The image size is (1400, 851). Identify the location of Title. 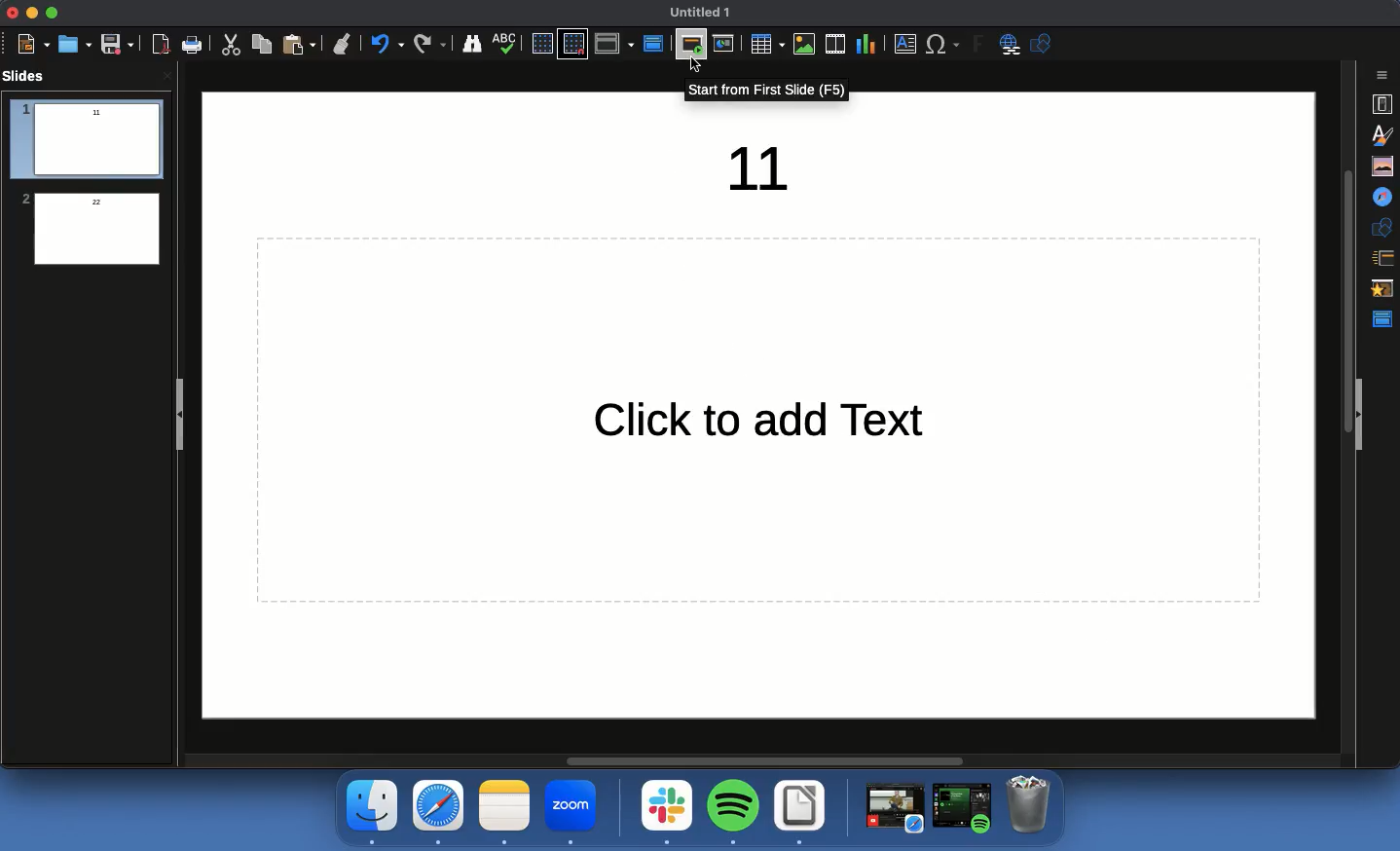
(763, 170).